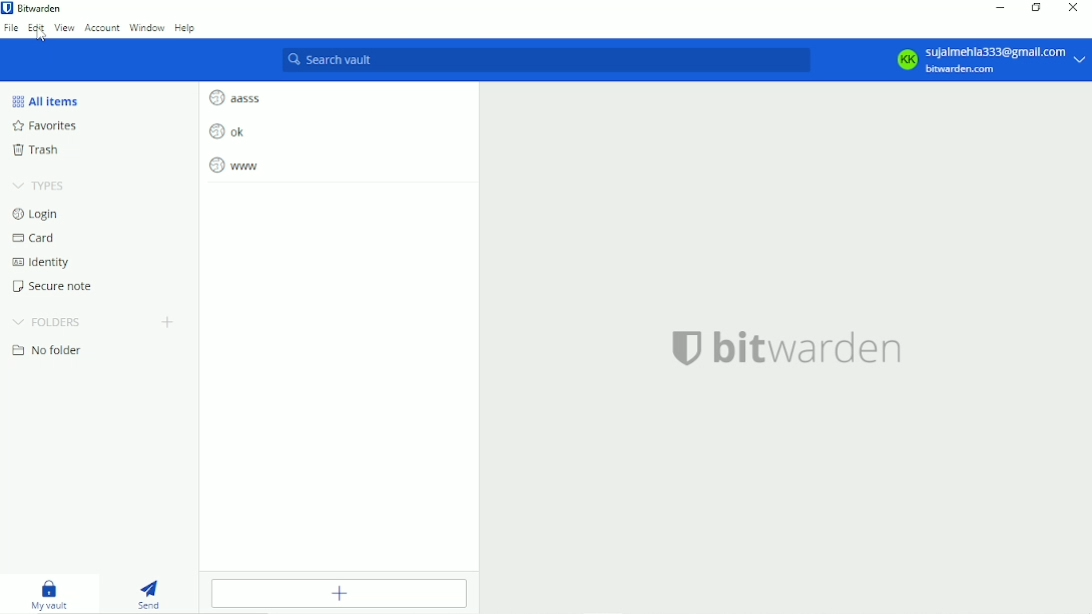 The width and height of the screenshot is (1092, 614). What do you see at coordinates (984, 60) in the screenshot?
I see `Account` at bounding box center [984, 60].